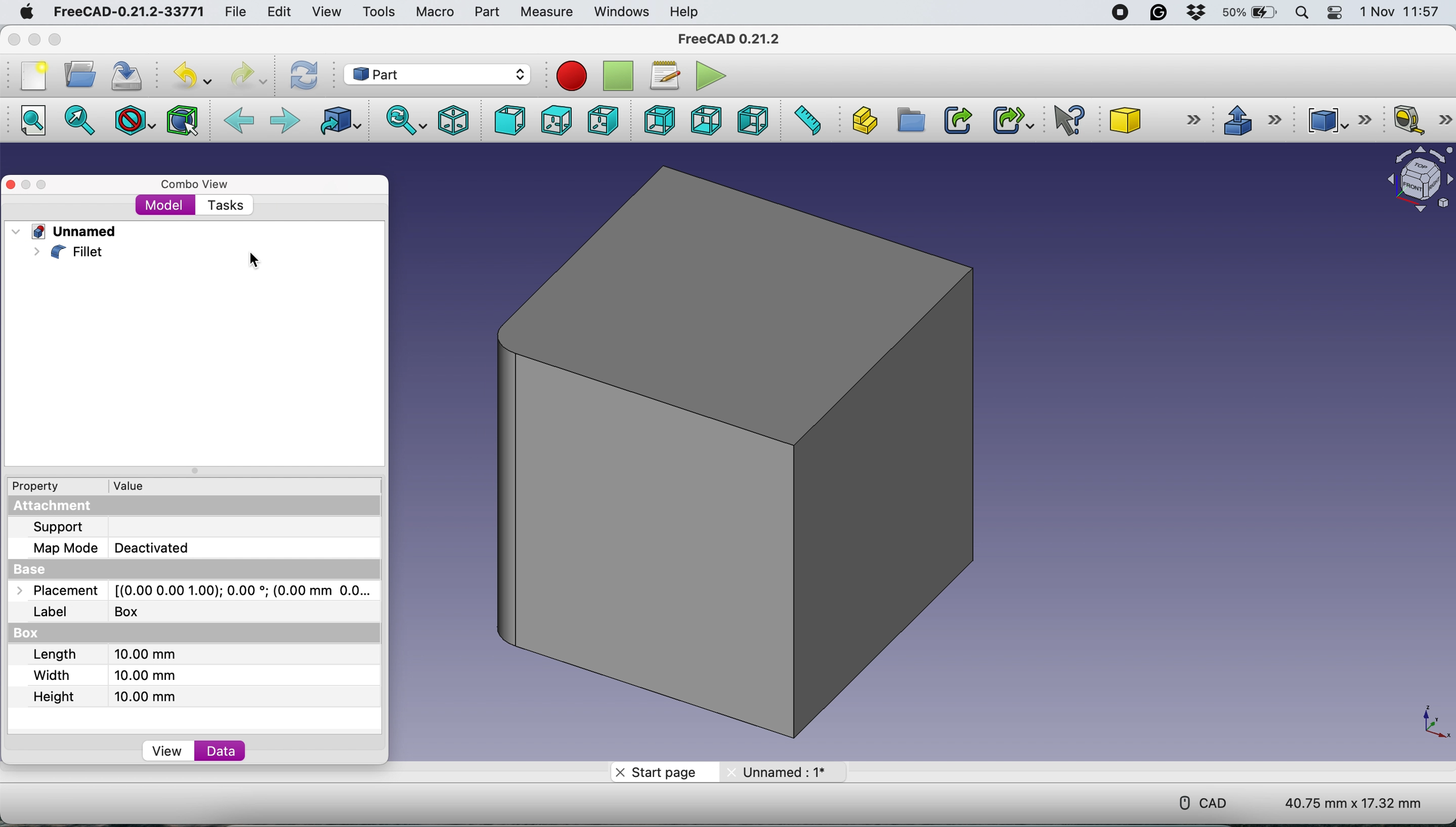 The height and width of the screenshot is (827, 1456). What do you see at coordinates (1013, 119) in the screenshot?
I see `make sub link` at bounding box center [1013, 119].